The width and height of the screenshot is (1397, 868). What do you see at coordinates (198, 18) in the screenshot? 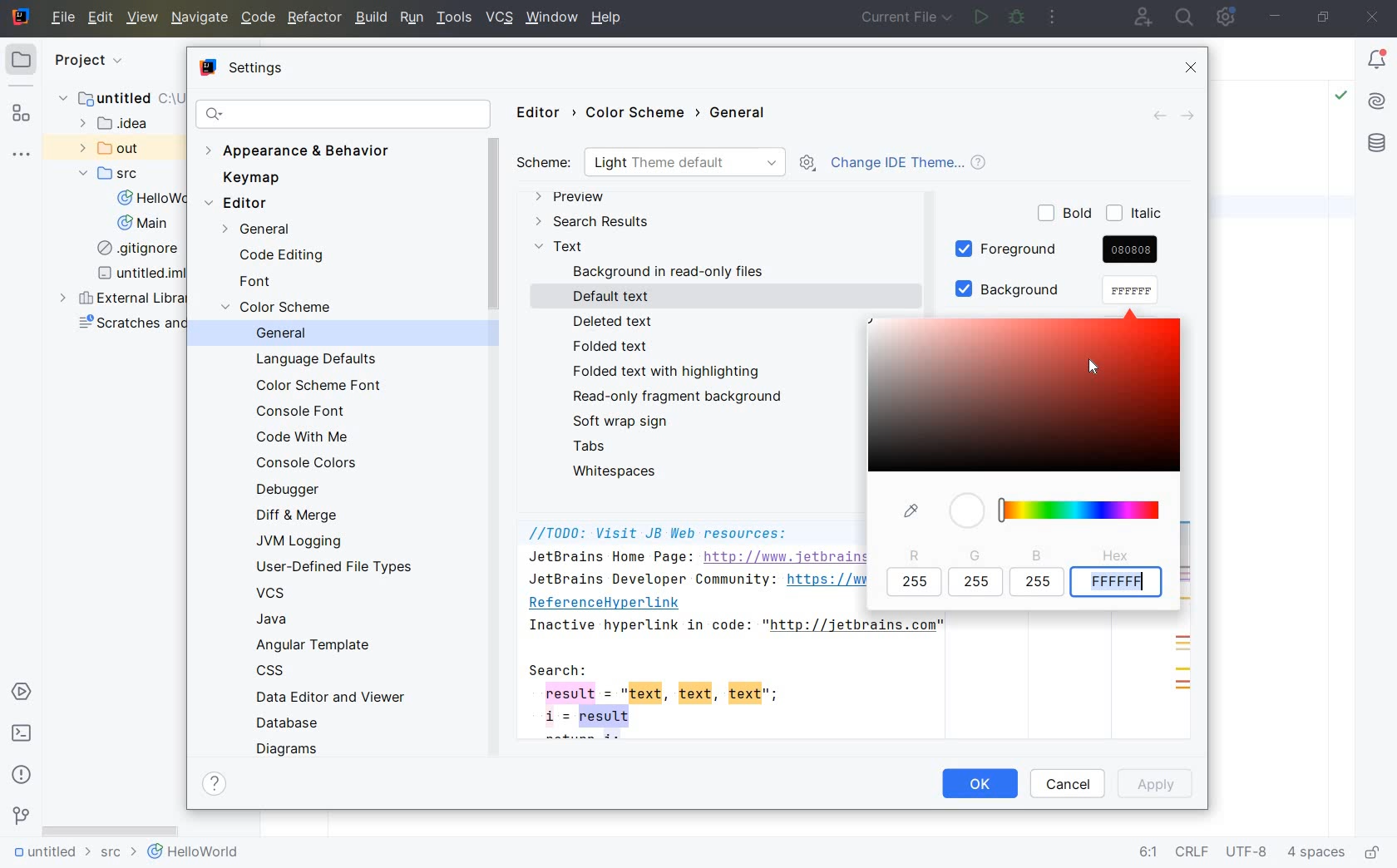
I see `NAVIGATE` at bounding box center [198, 18].